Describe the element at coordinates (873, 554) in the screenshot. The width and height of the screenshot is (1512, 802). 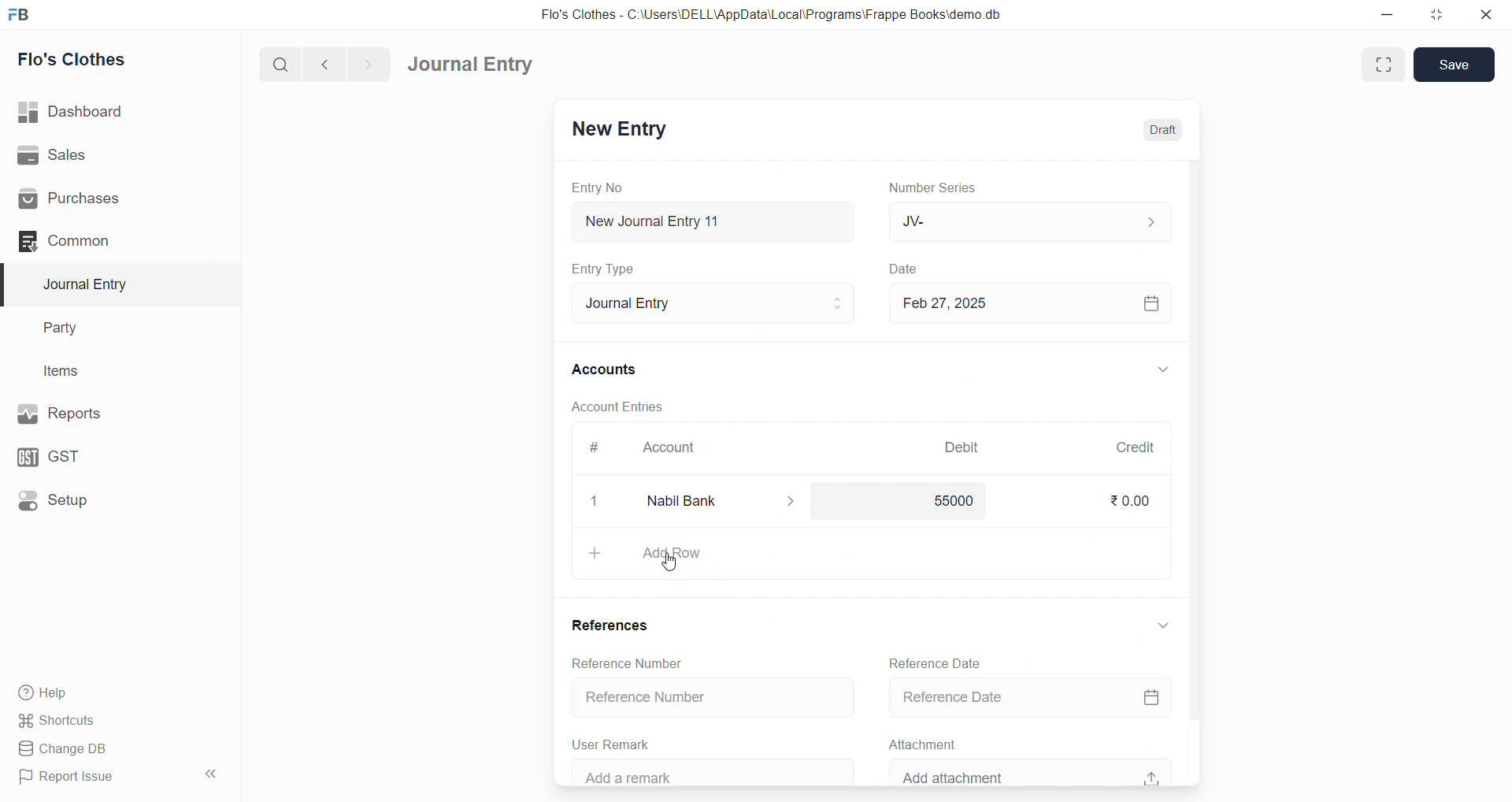
I see `+ Add Row` at that location.